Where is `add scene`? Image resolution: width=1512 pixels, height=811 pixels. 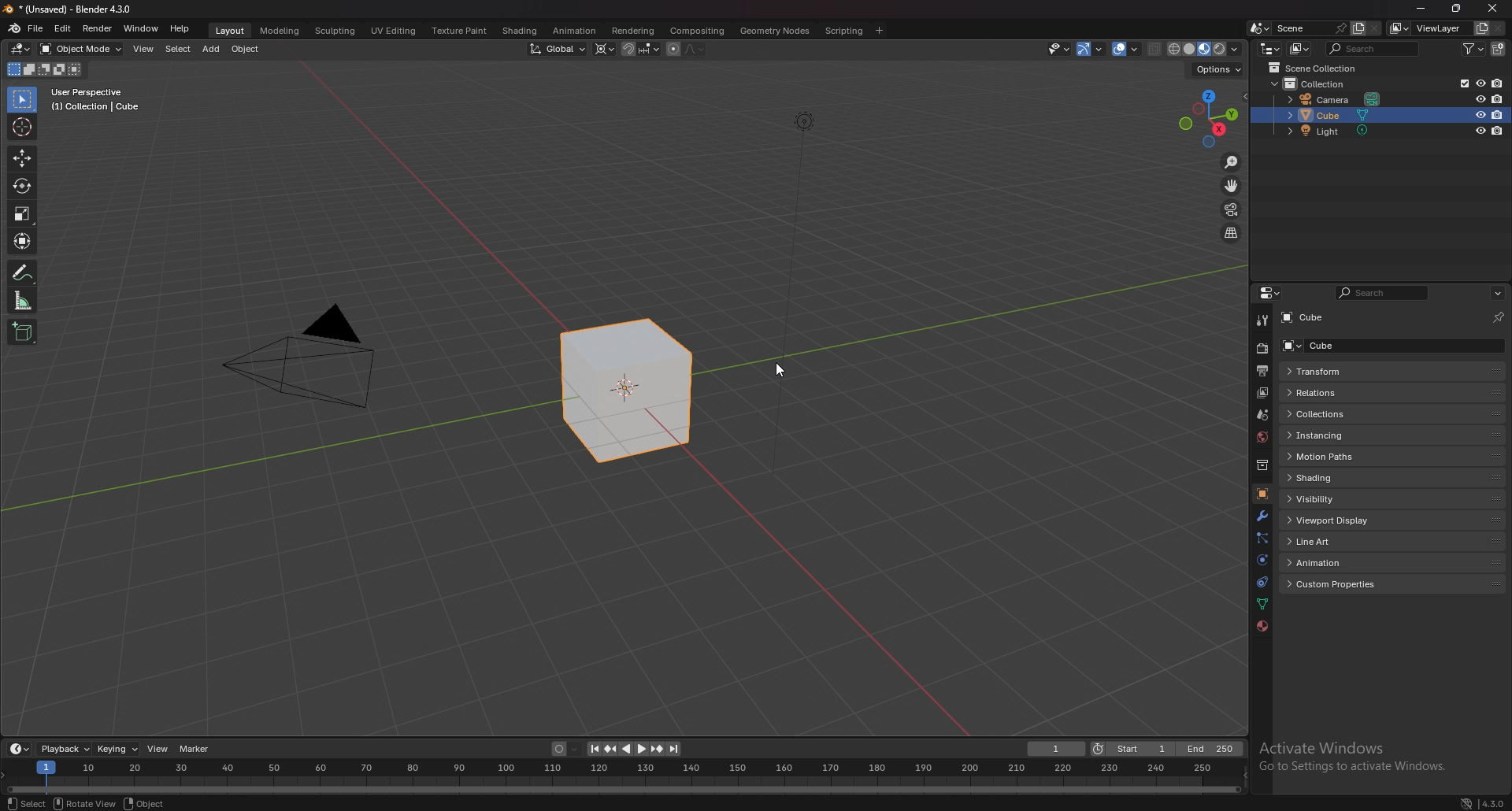 add scene is located at coordinates (1358, 28).